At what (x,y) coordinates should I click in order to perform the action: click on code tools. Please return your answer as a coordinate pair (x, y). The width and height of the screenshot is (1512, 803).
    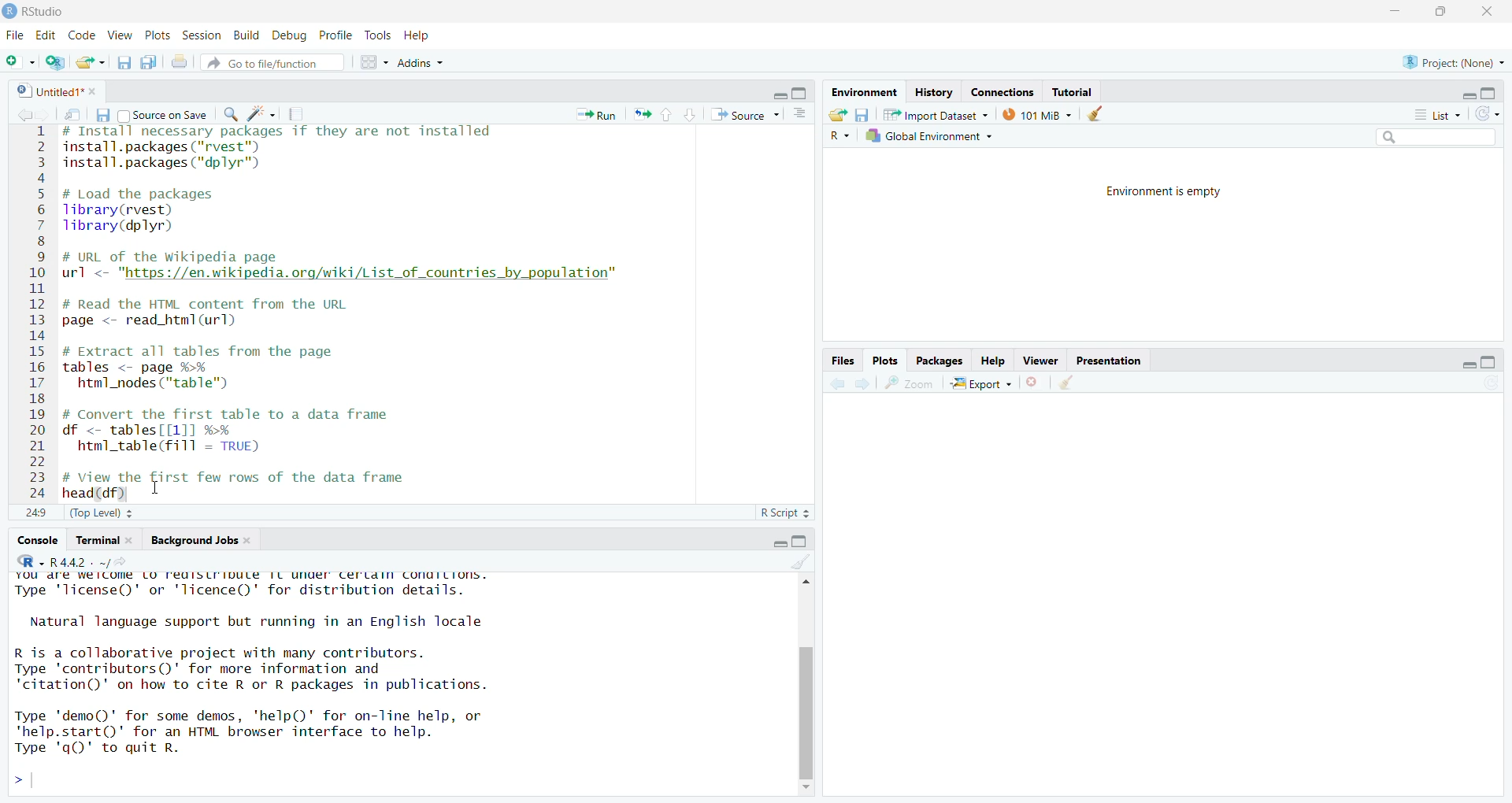
    Looking at the image, I should click on (261, 114).